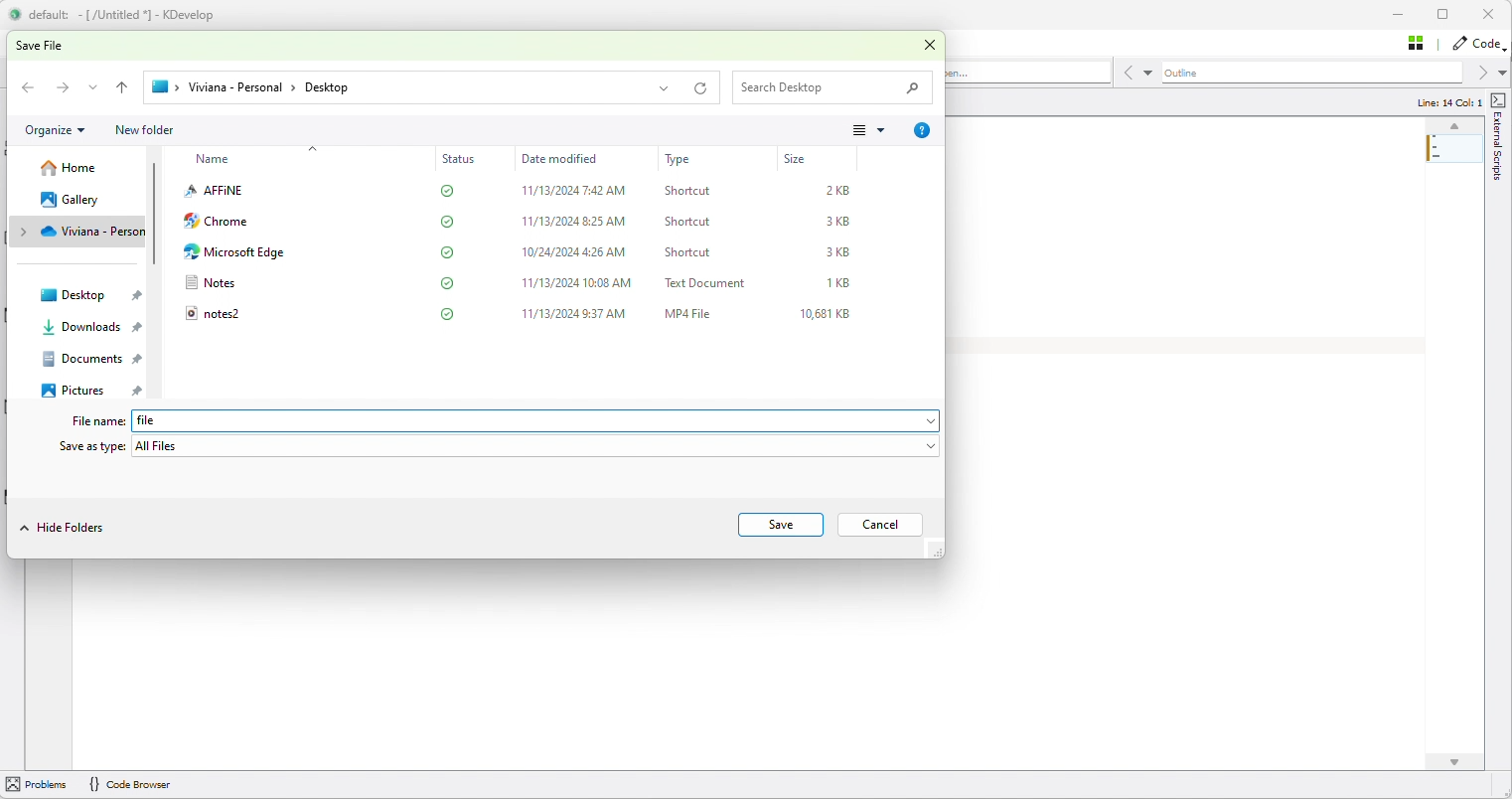 The width and height of the screenshot is (1512, 799). What do you see at coordinates (830, 315) in the screenshot?
I see `10,681 KB.` at bounding box center [830, 315].